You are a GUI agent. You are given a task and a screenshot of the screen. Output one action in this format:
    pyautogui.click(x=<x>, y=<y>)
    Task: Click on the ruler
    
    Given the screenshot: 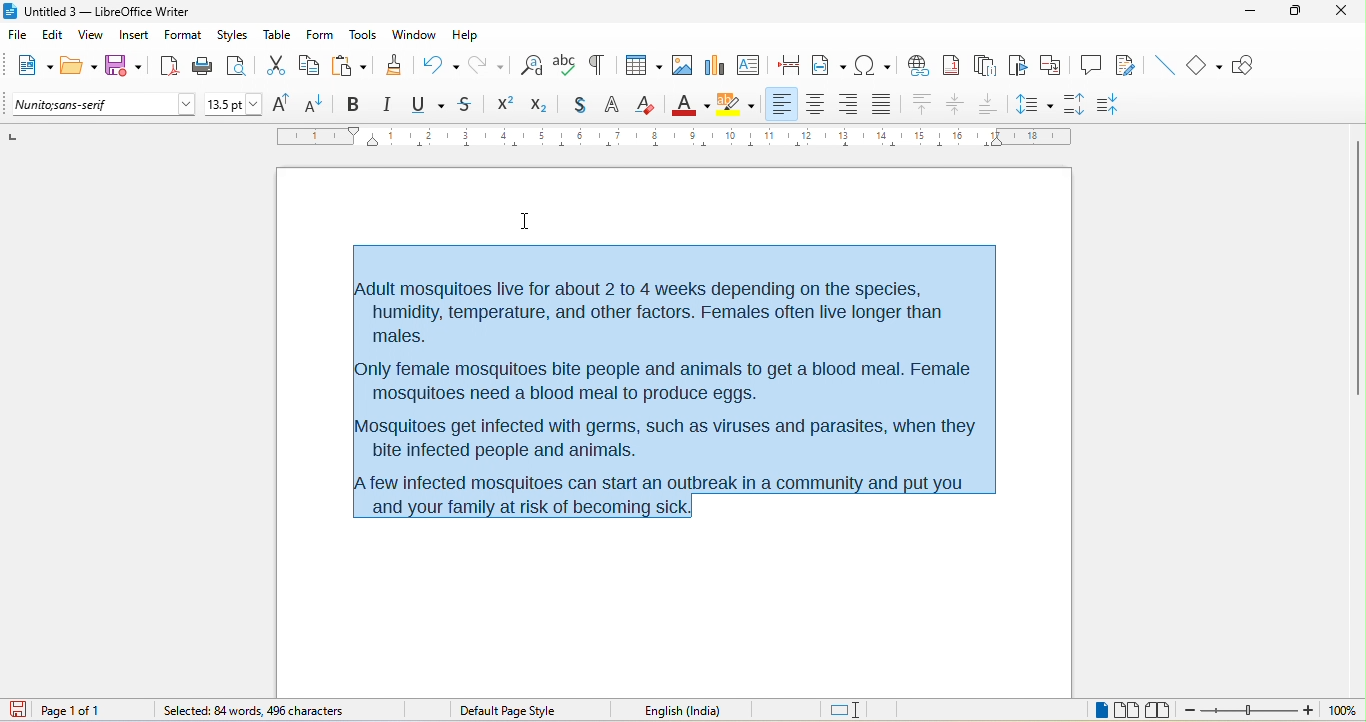 What is the action you would take?
    pyautogui.click(x=675, y=136)
    